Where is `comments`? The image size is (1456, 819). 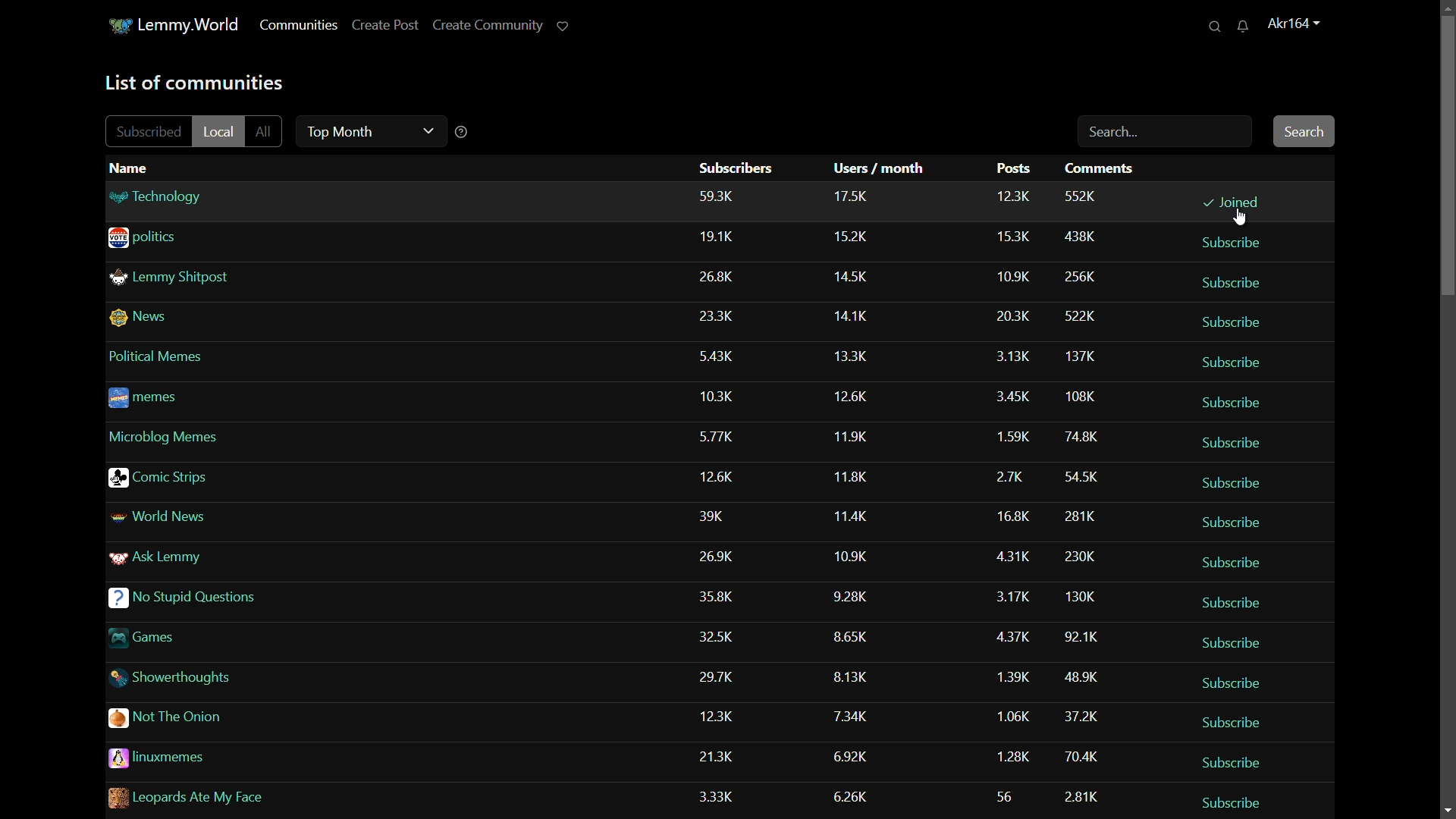 comments is located at coordinates (1078, 237).